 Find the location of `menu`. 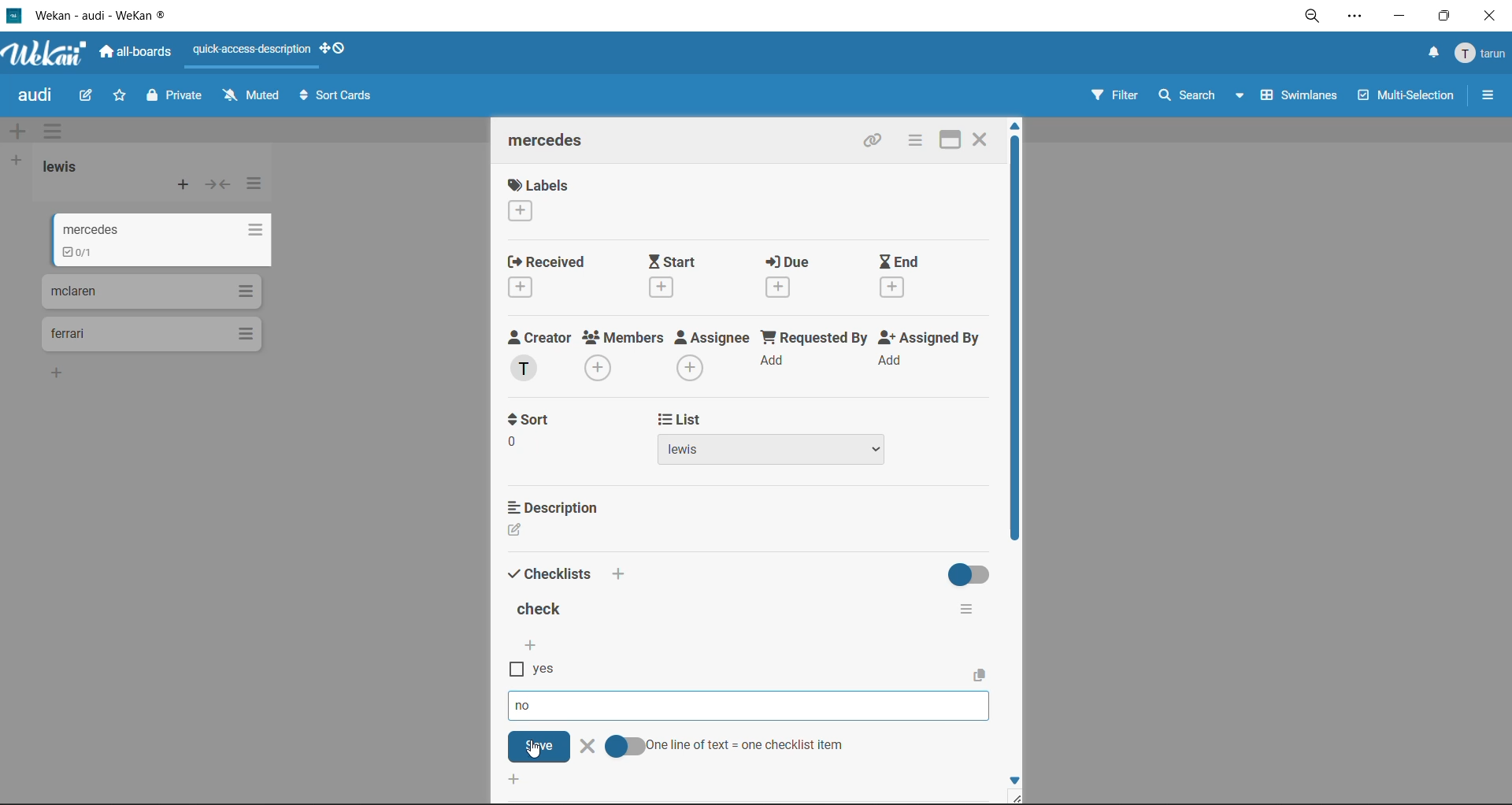

menu is located at coordinates (1482, 54).